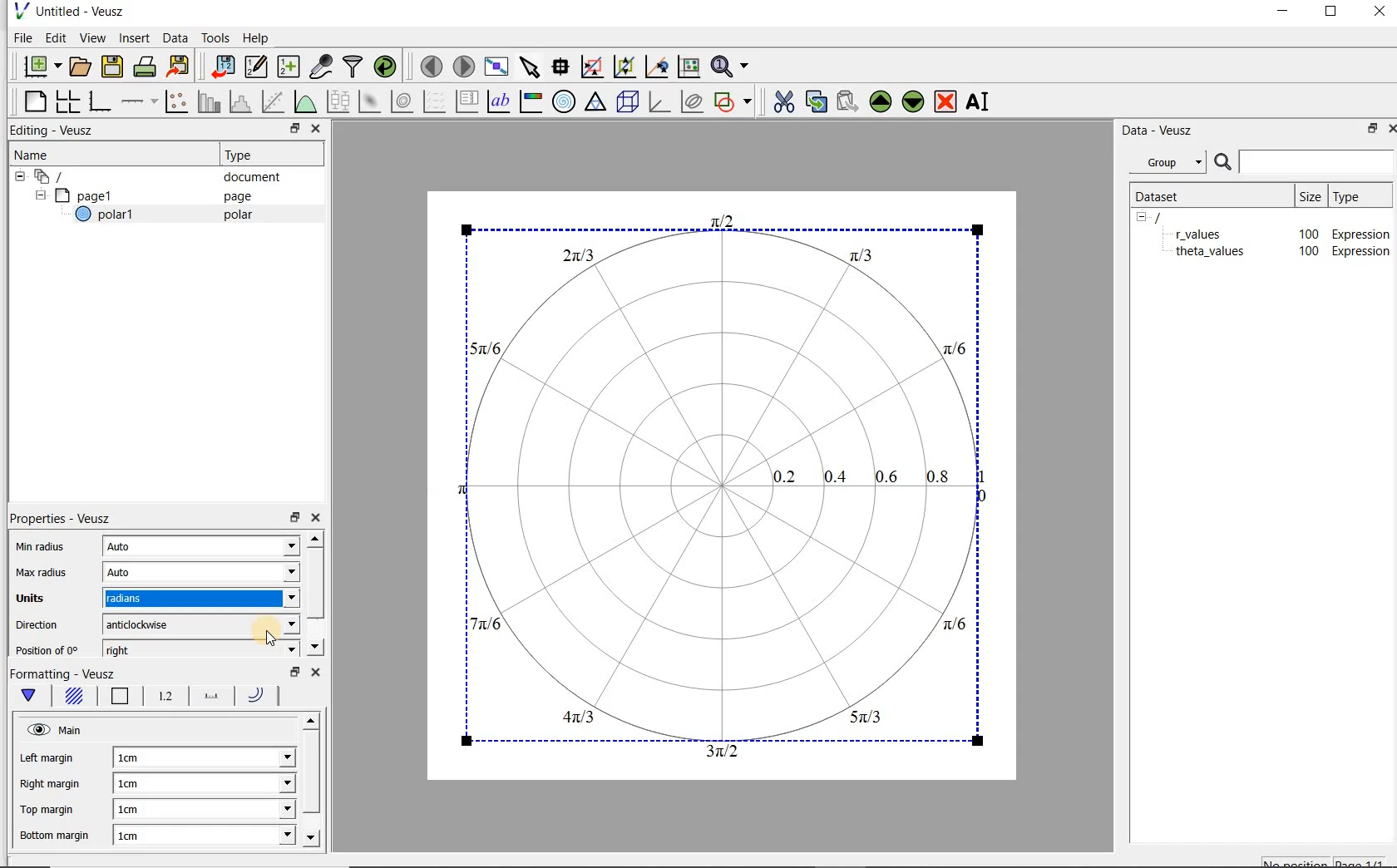 This screenshot has height=868, width=1397. Describe the element at coordinates (67, 101) in the screenshot. I see `arrange graphs in a grid` at that location.